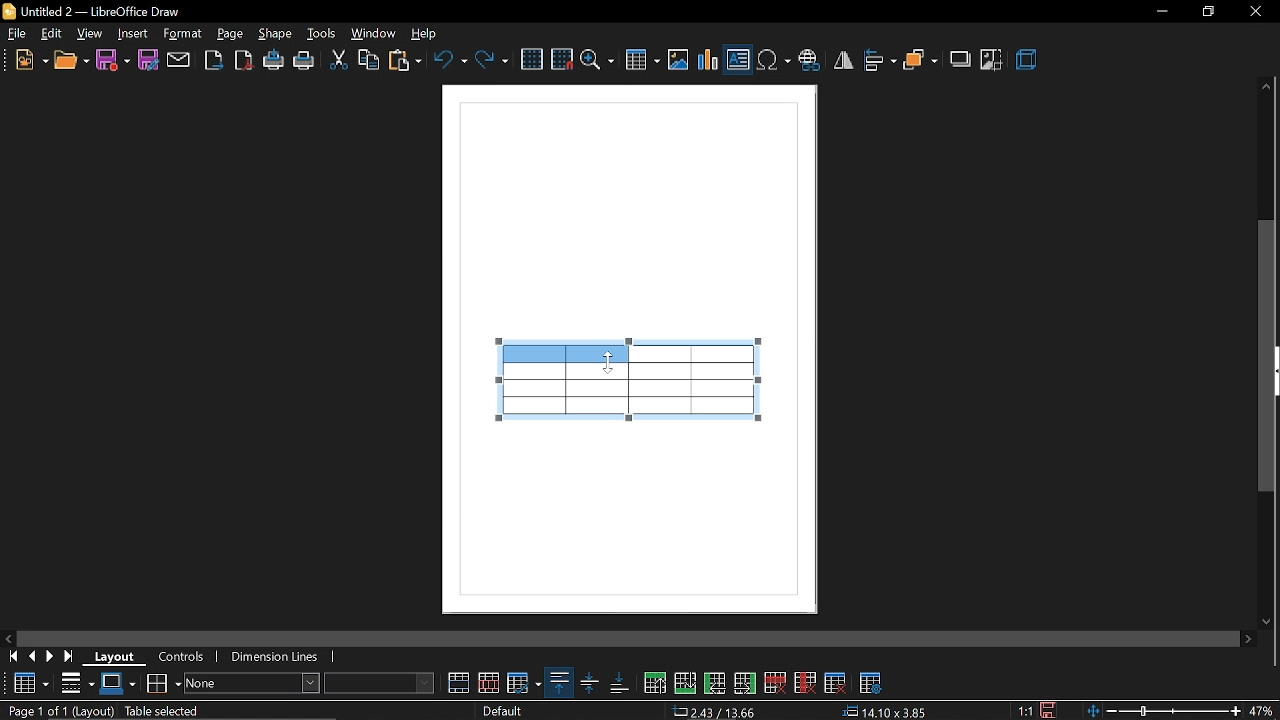 The image size is (1280, 720). What do you see at coordinates (118, 683) in the screenshot?
I see `border color` at bounding box center [118, 683].